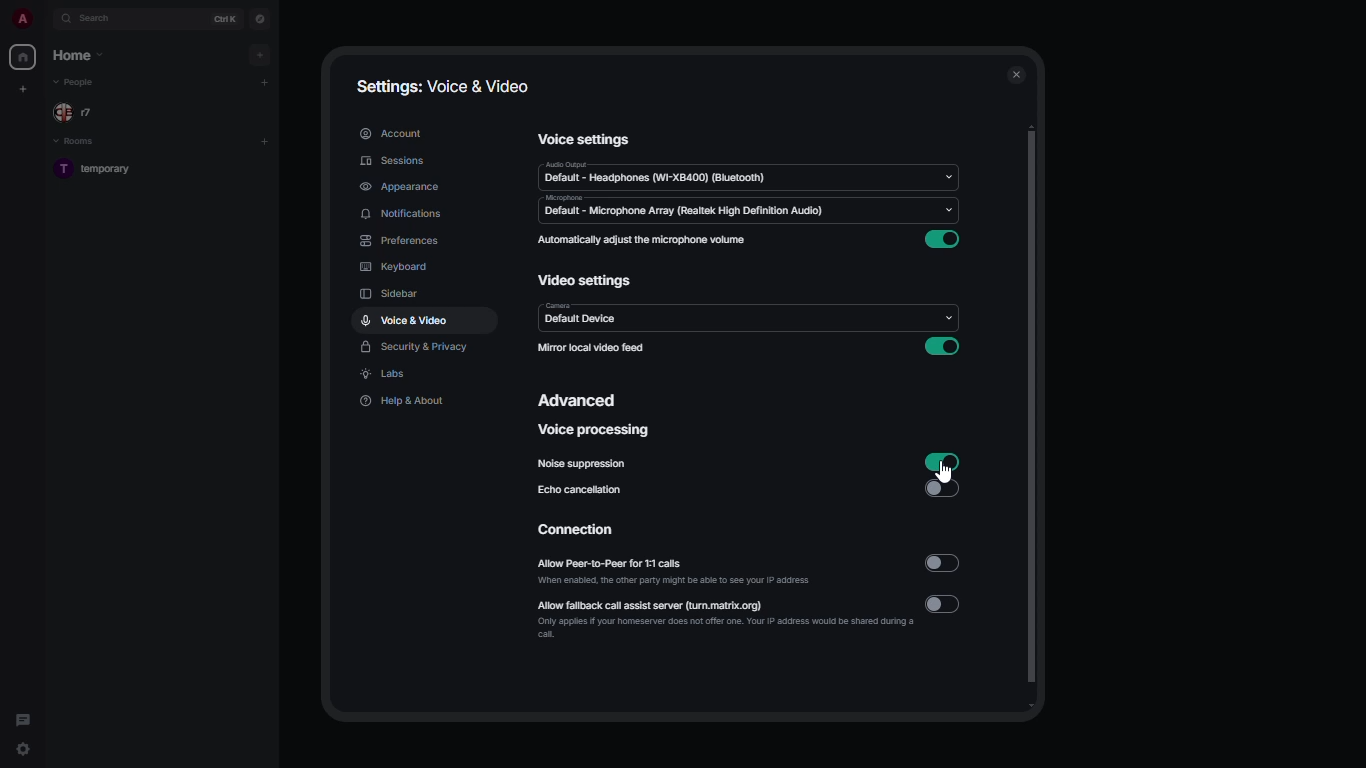  I want to click on enabled, so click(942, 461).